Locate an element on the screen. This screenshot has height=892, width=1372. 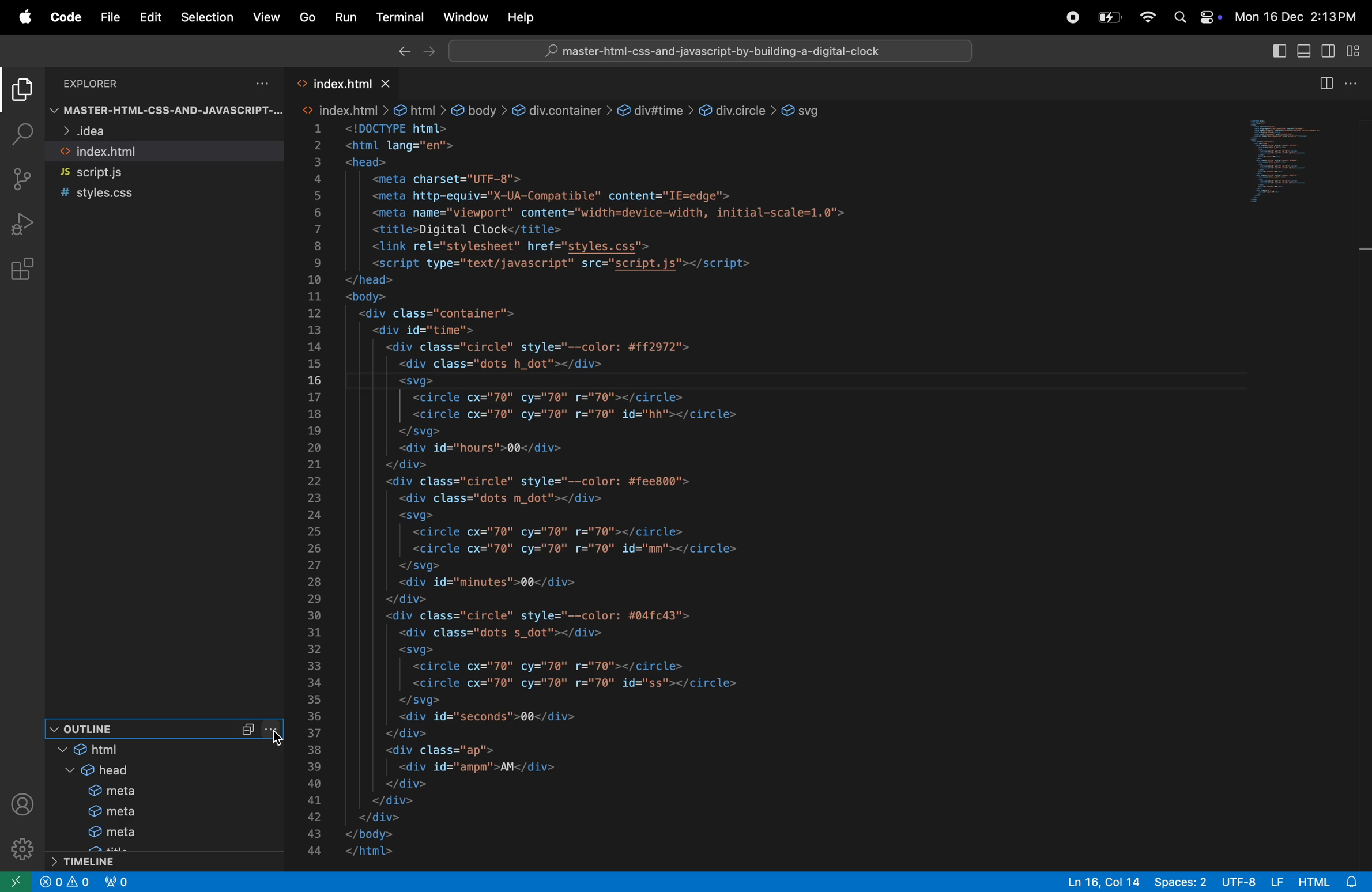
meta is located at coordinates (169, 831).